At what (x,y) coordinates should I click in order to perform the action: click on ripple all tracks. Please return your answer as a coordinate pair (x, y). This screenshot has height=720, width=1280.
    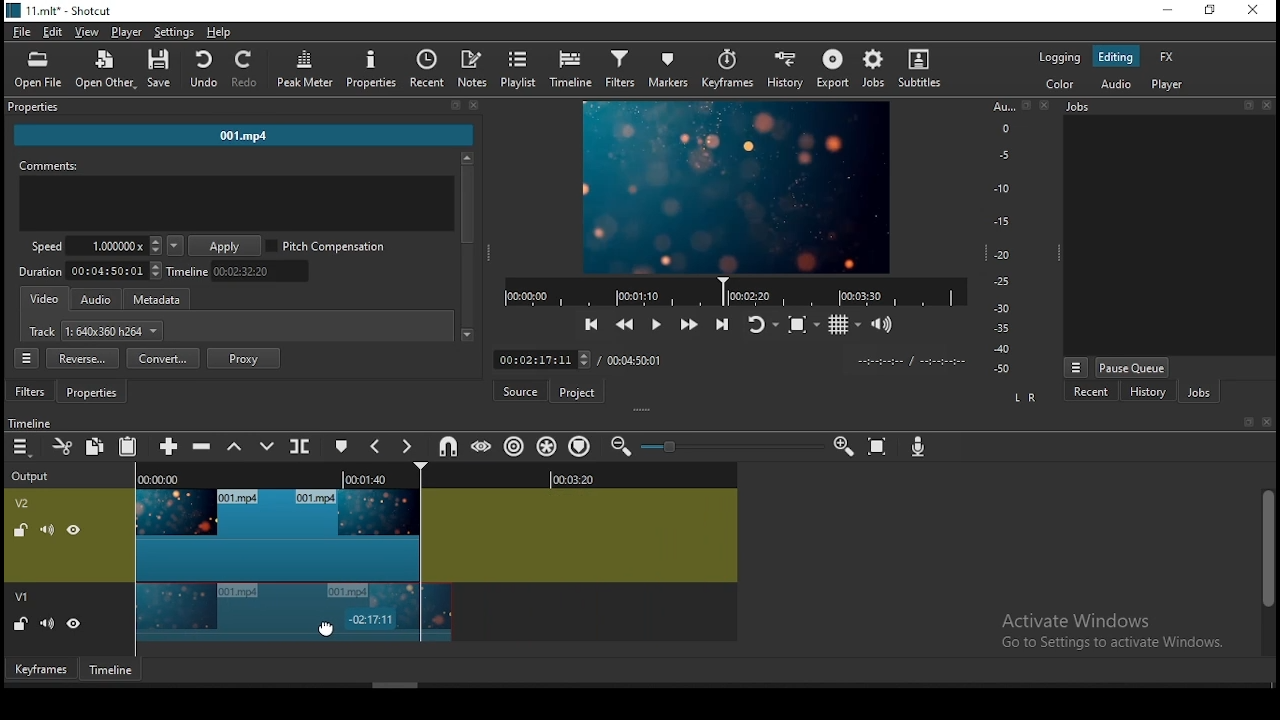
    Looking at the image, I should click on (547, 446).